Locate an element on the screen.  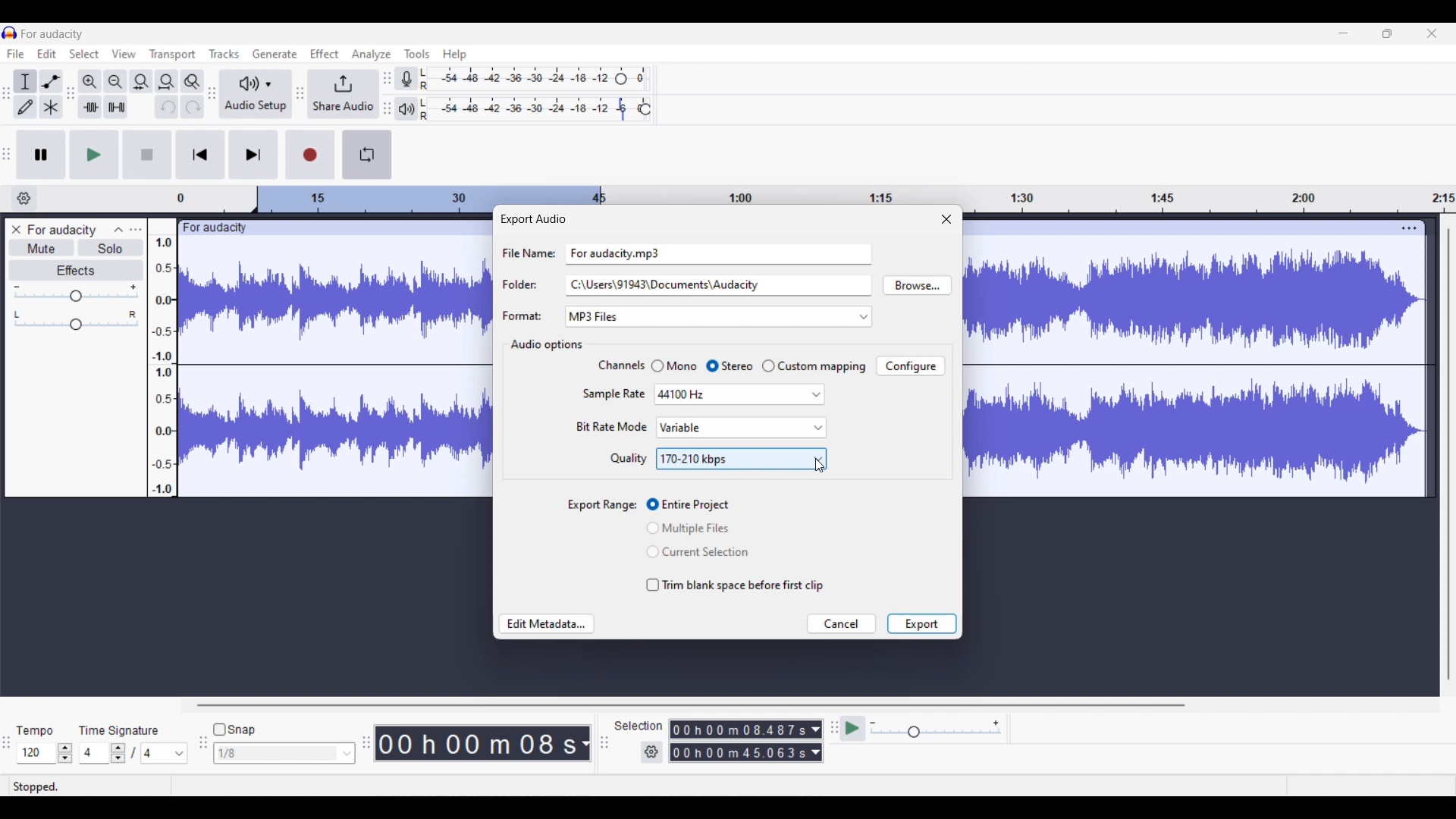
Zoom toggle is located at coordinates (192, 82).